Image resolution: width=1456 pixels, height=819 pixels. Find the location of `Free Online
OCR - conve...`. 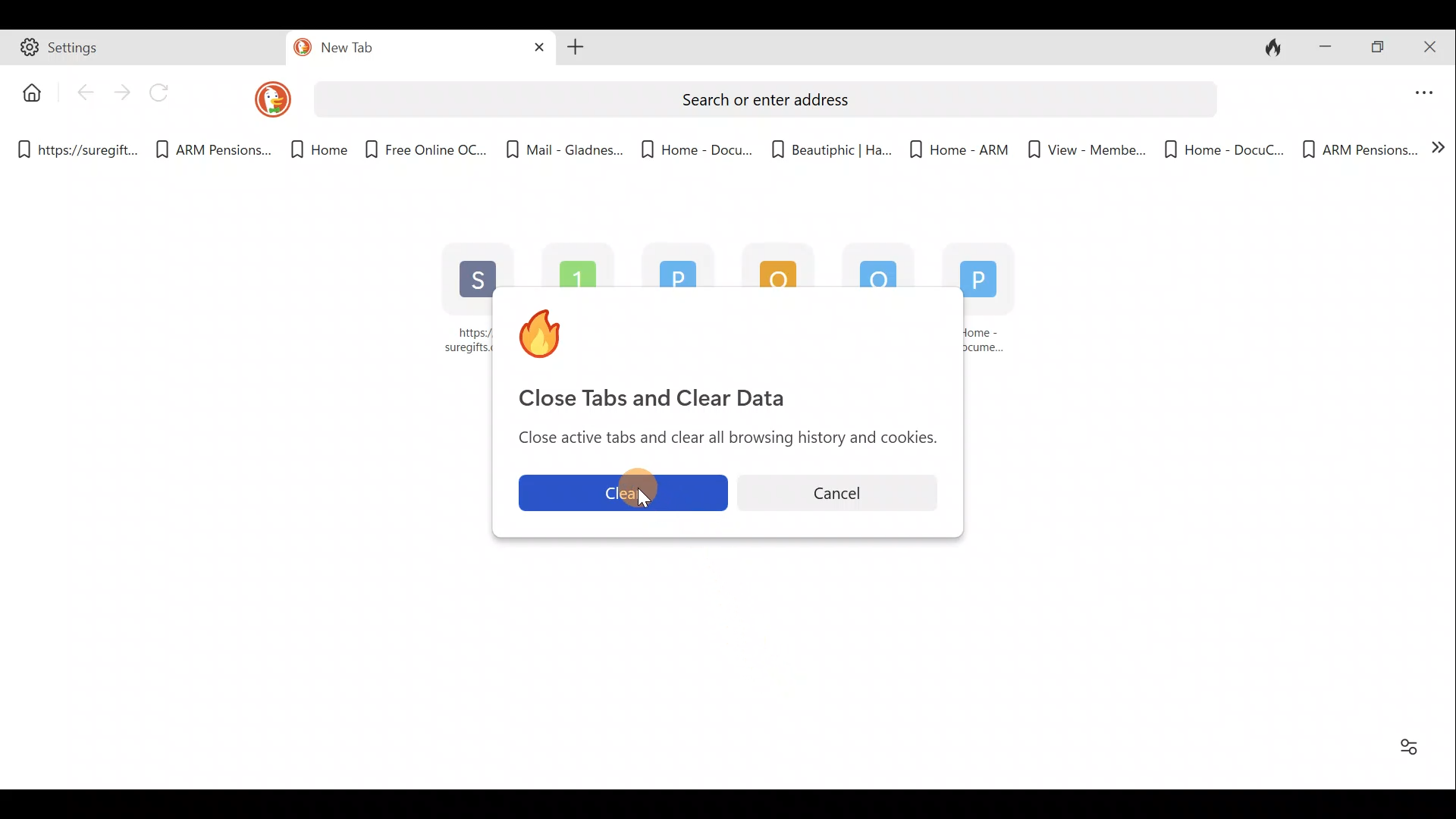

Free Online
OCR - conve... is located at coordinates (769, 264).